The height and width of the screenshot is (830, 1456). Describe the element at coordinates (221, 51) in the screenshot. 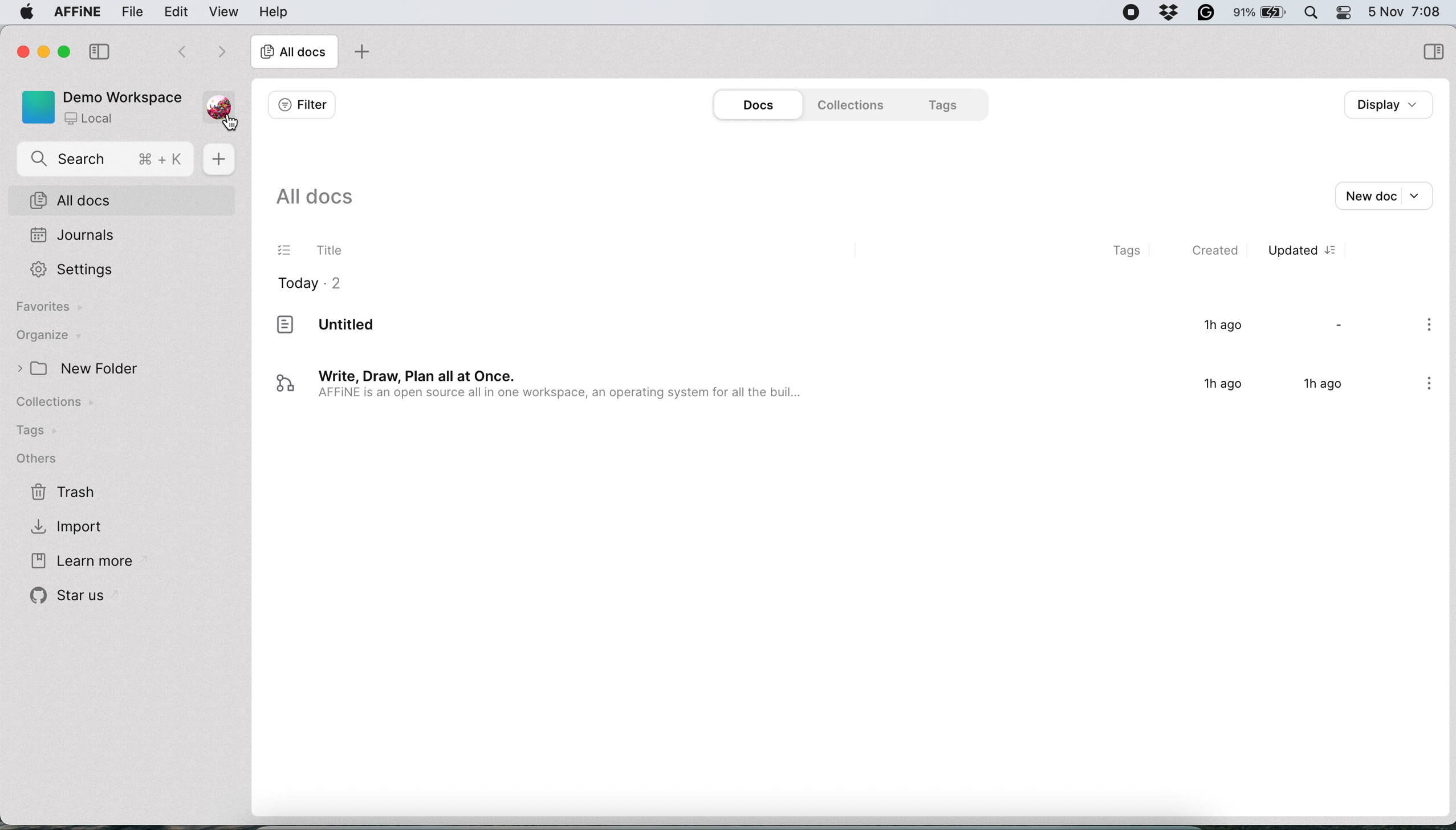

I see `switch between options` at that location.